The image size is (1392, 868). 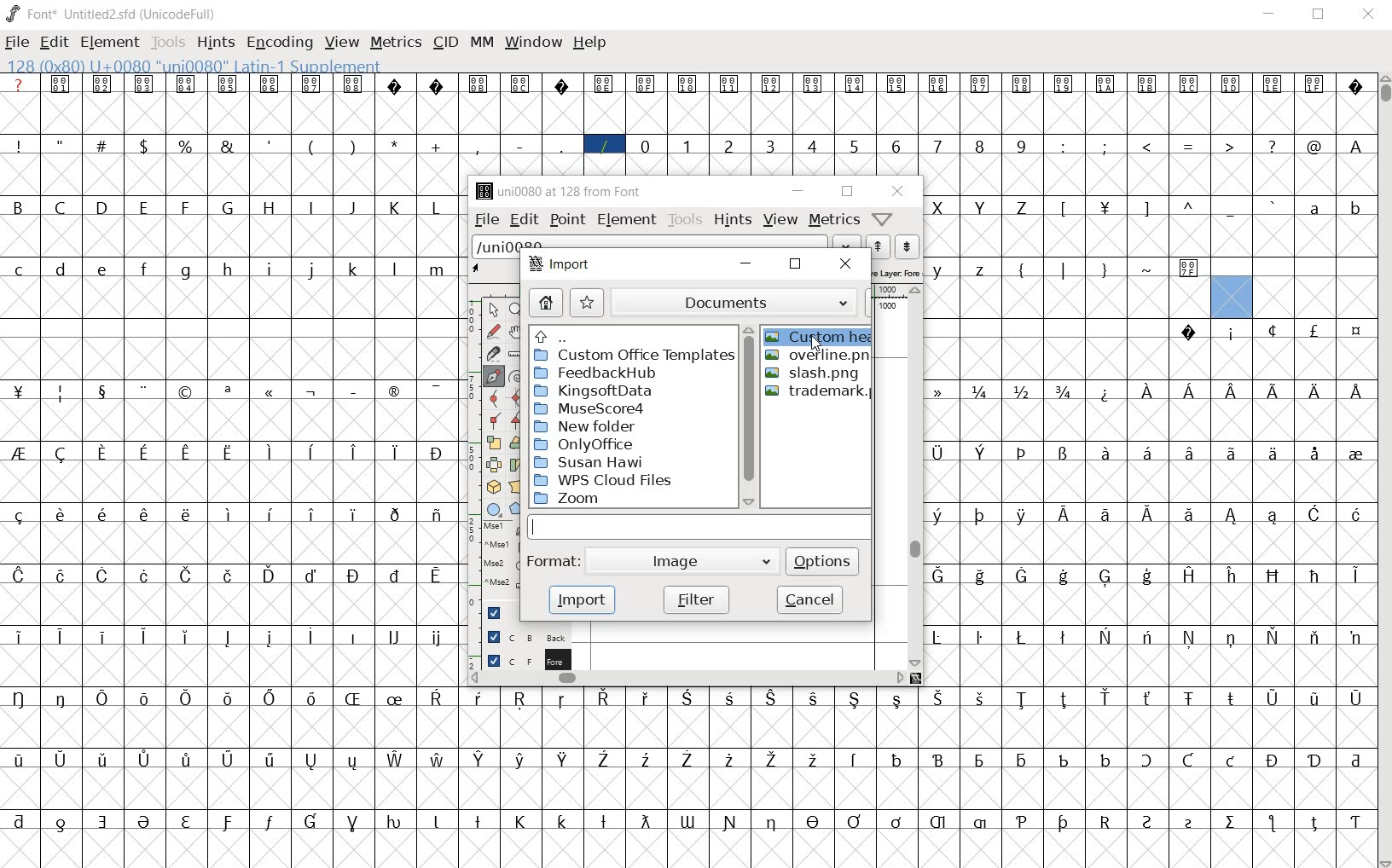 What do you see at coordinates (980, 392) in the screenshot?
I see `glyph` at bounding box center [980, 392].